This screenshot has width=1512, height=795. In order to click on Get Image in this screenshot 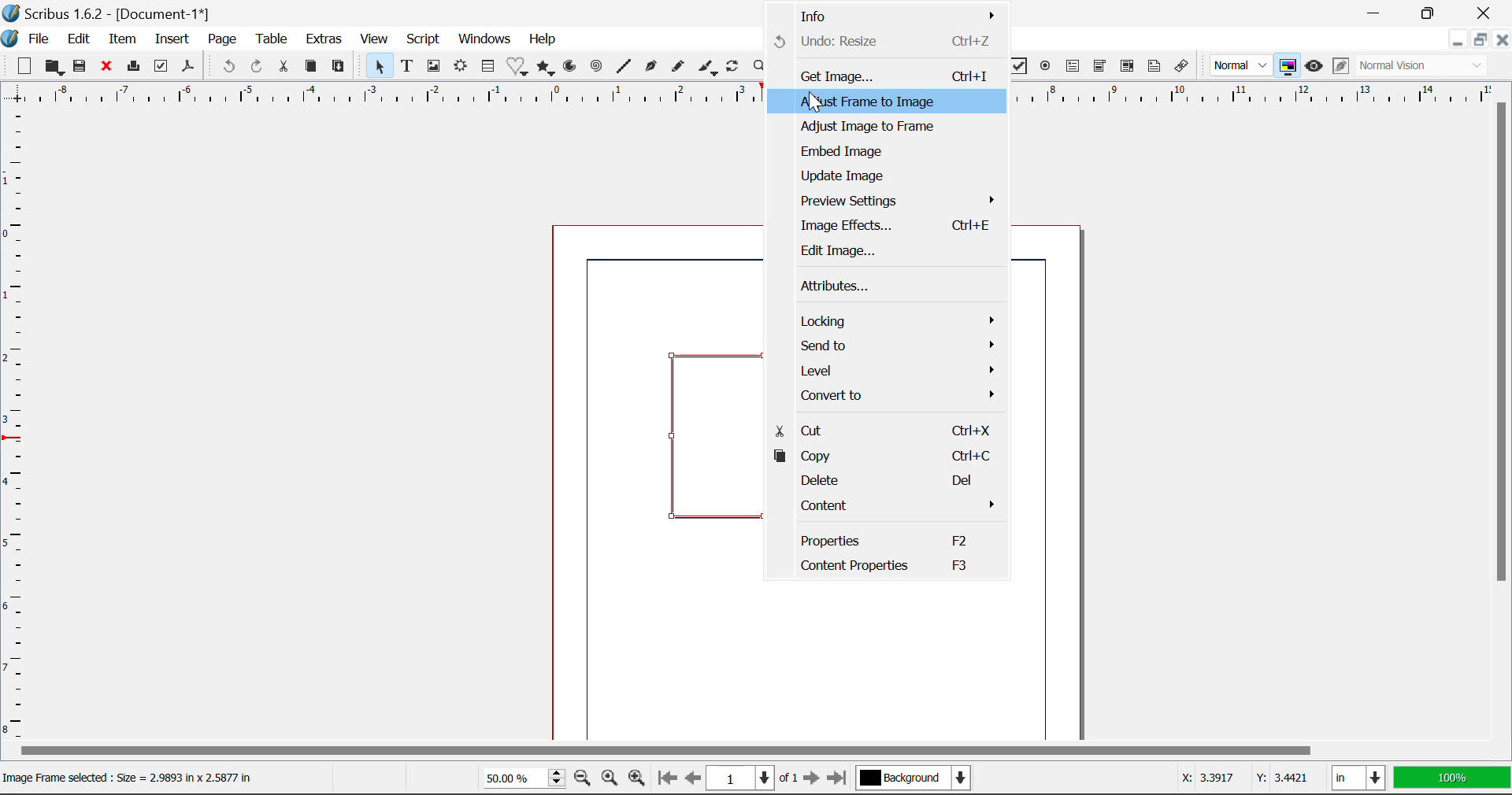, I will do `click(884, 75)`.